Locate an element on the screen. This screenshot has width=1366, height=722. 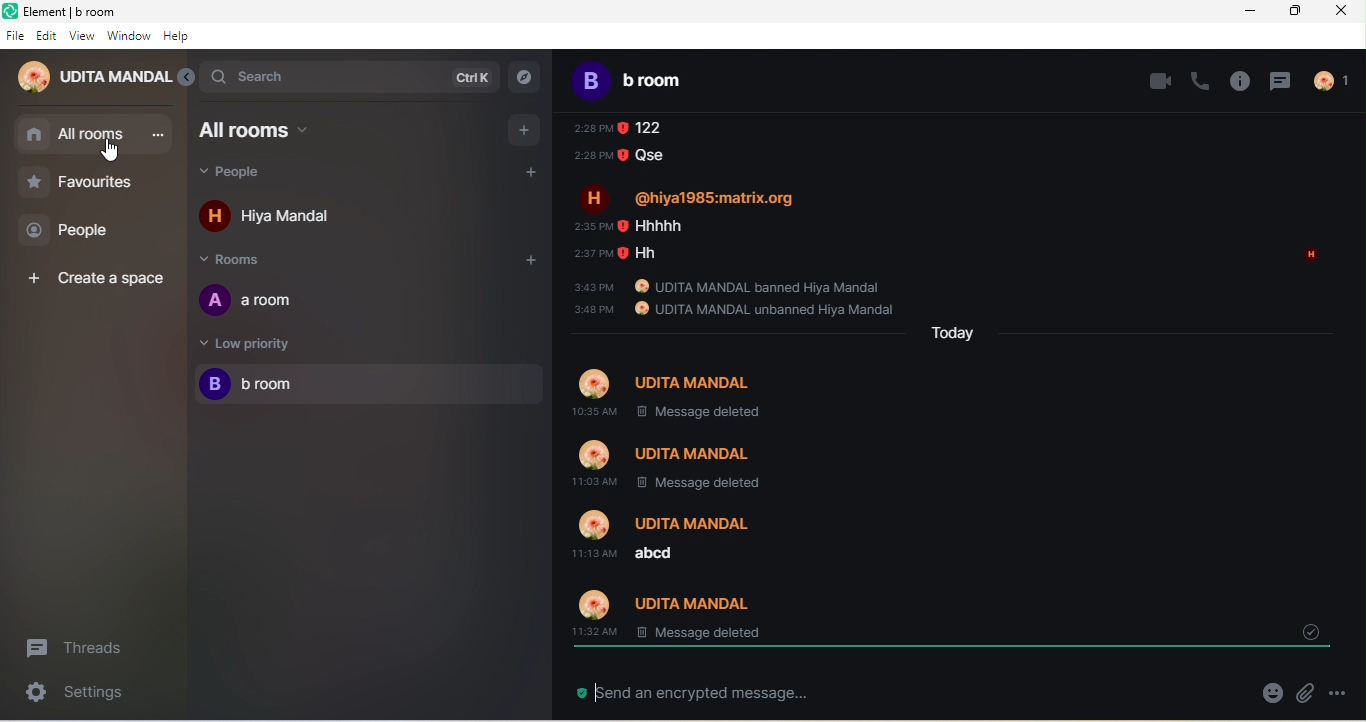
rooms is located at coordinates (245, 258).